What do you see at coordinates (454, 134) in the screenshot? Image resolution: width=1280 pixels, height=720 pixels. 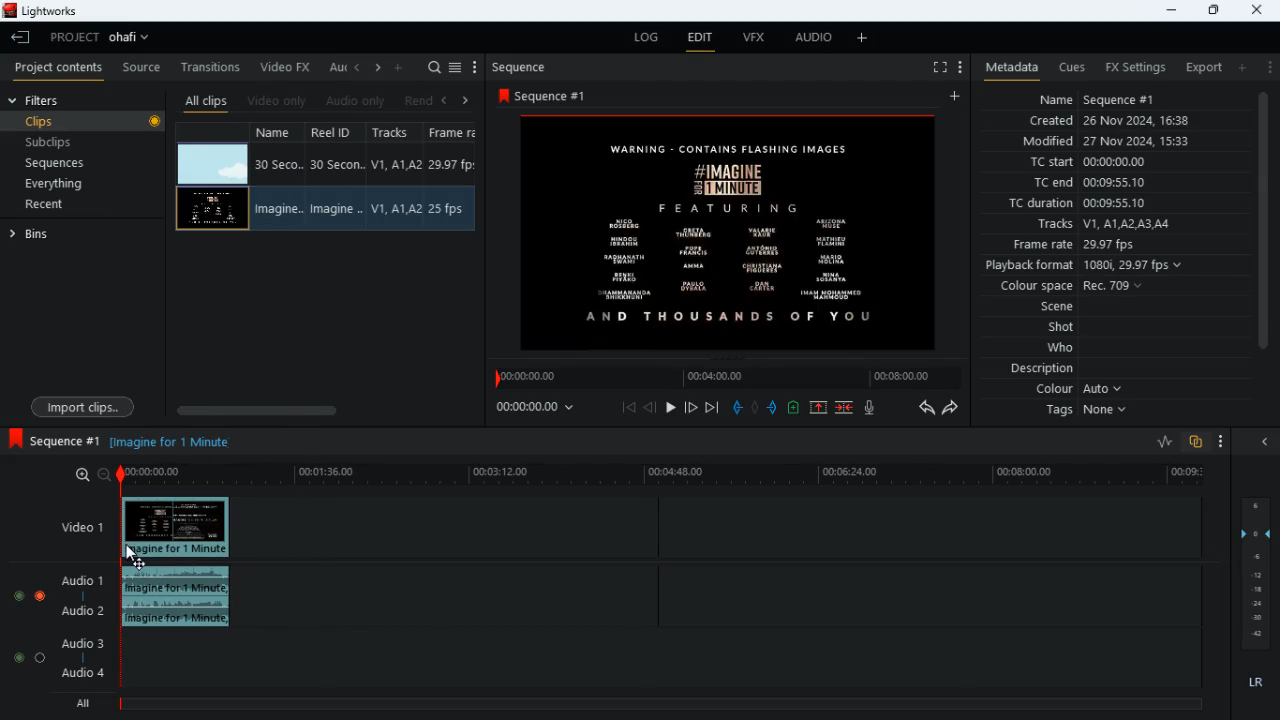 I see `fps` at bounding box center [454, 134].